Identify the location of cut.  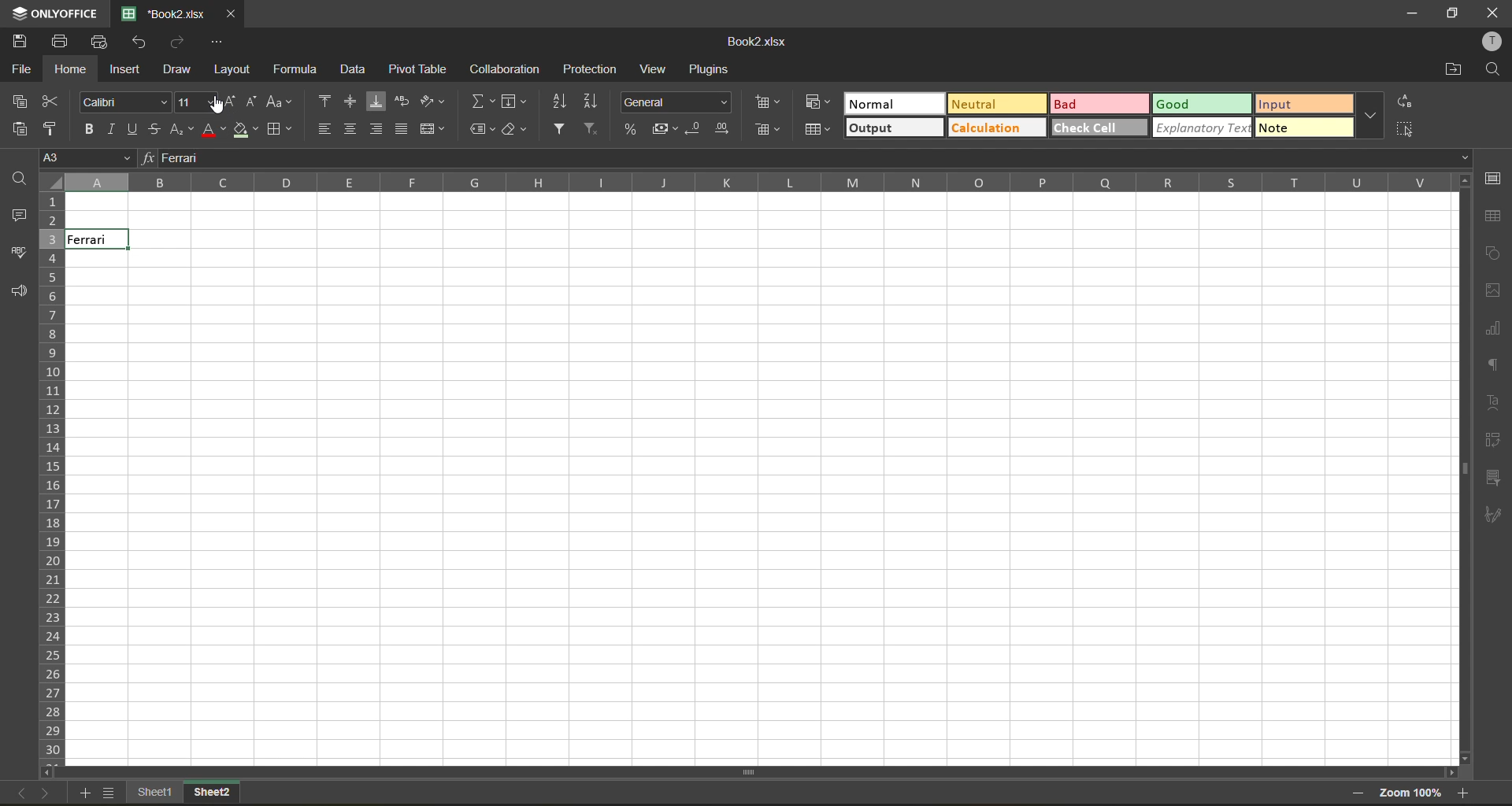
(52, 100).